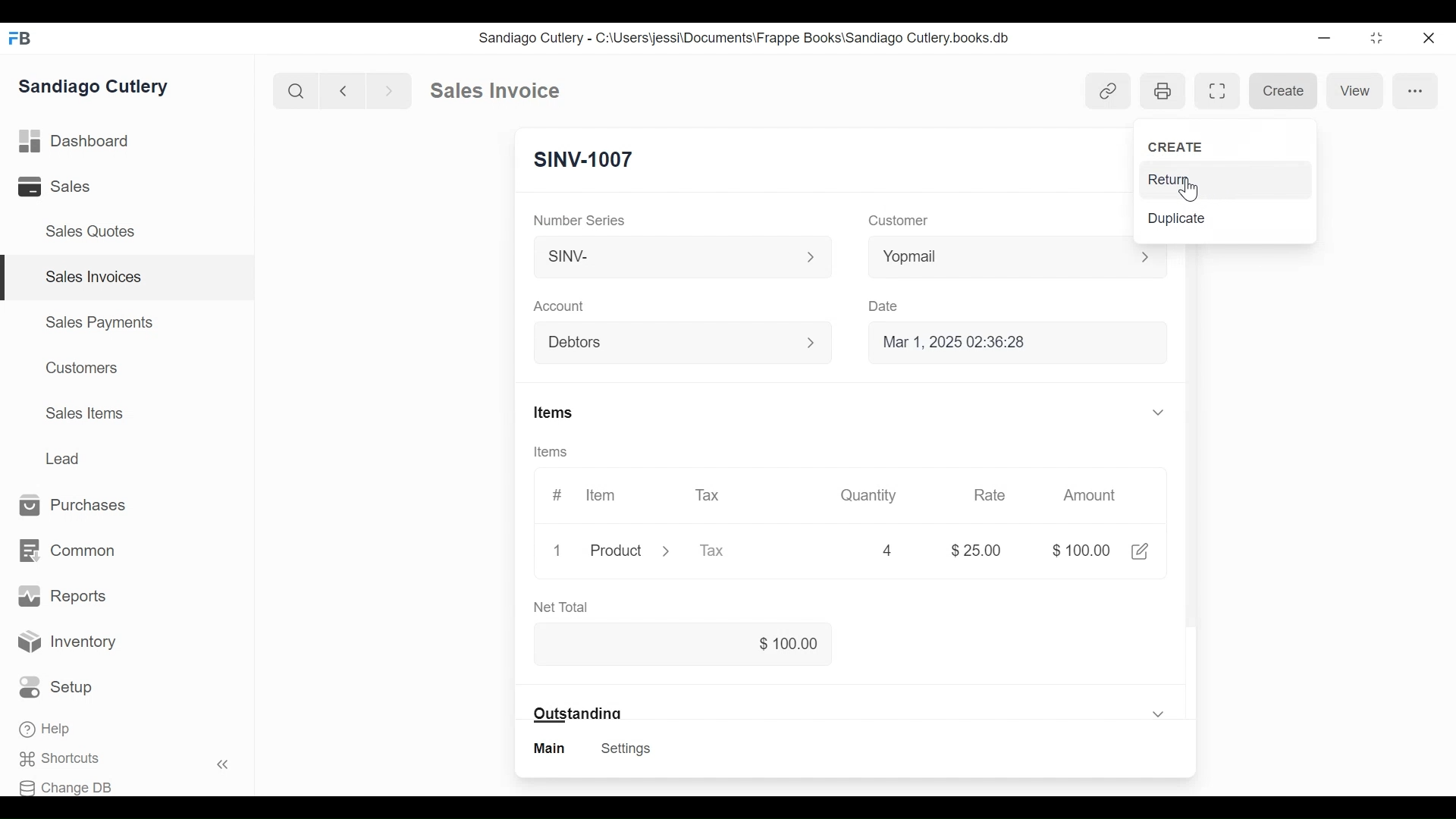  Describe the element at coordinates (83, 367) in the screenshot. I see `Customers` at that location.